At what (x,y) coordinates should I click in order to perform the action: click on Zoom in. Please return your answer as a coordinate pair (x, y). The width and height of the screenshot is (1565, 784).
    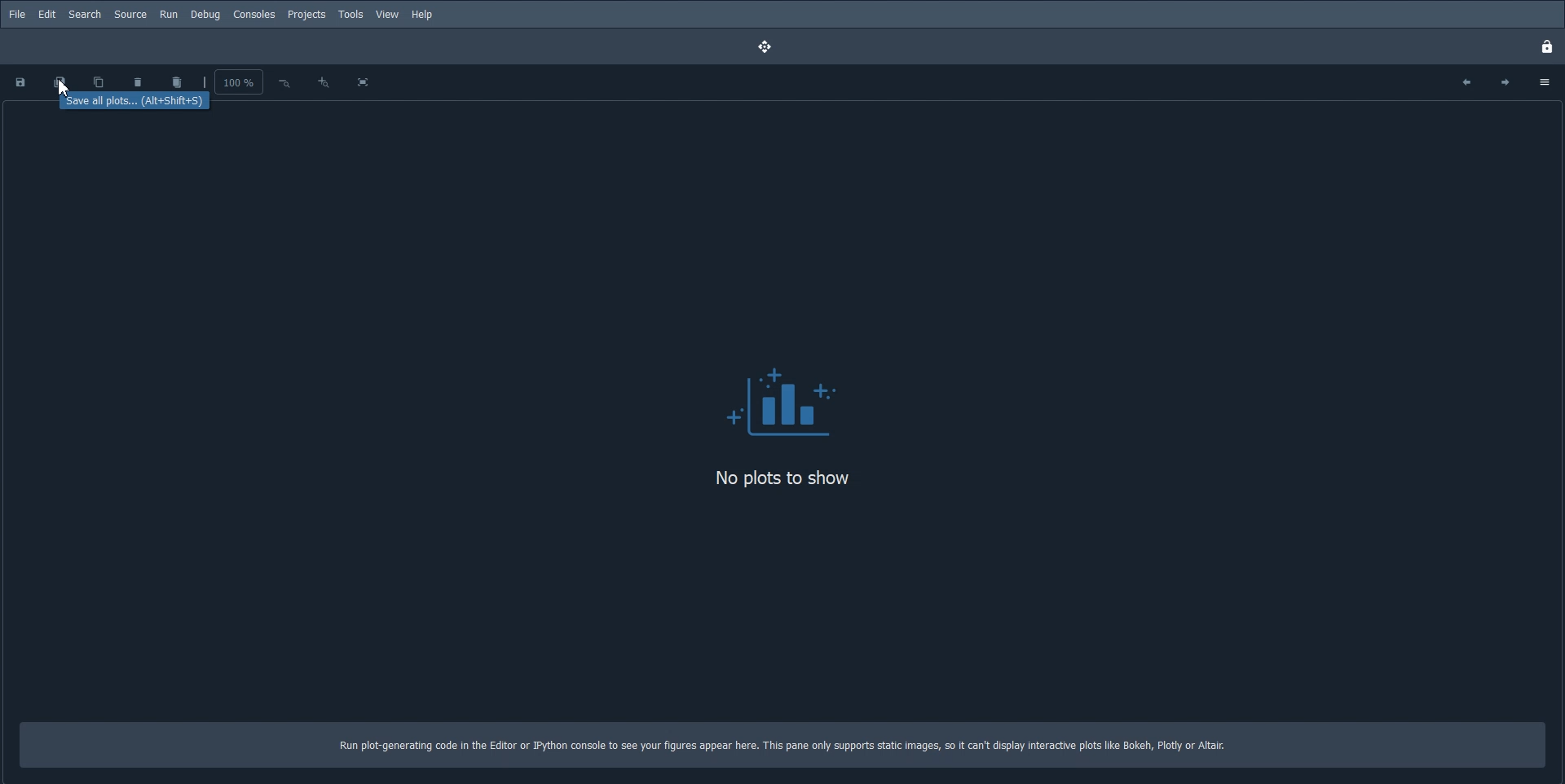
    Looking at the image, I should click on (324, 83).